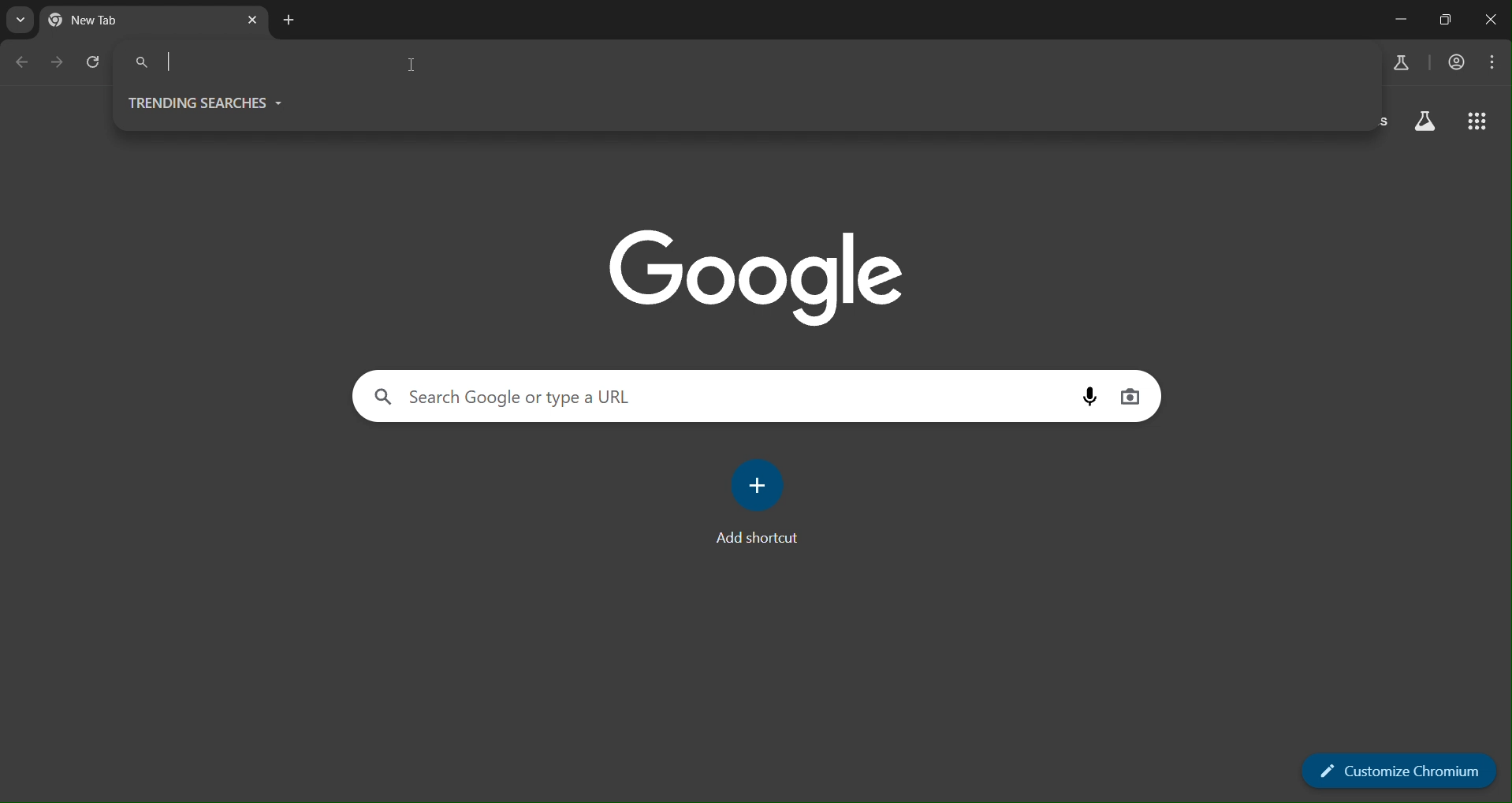 Image resolution: width=1512 pixels, height=803 pixels. What do you see at coordinates (1130, 395) in the screenshot?
I see `image search` at bounding box center [1130, 395].